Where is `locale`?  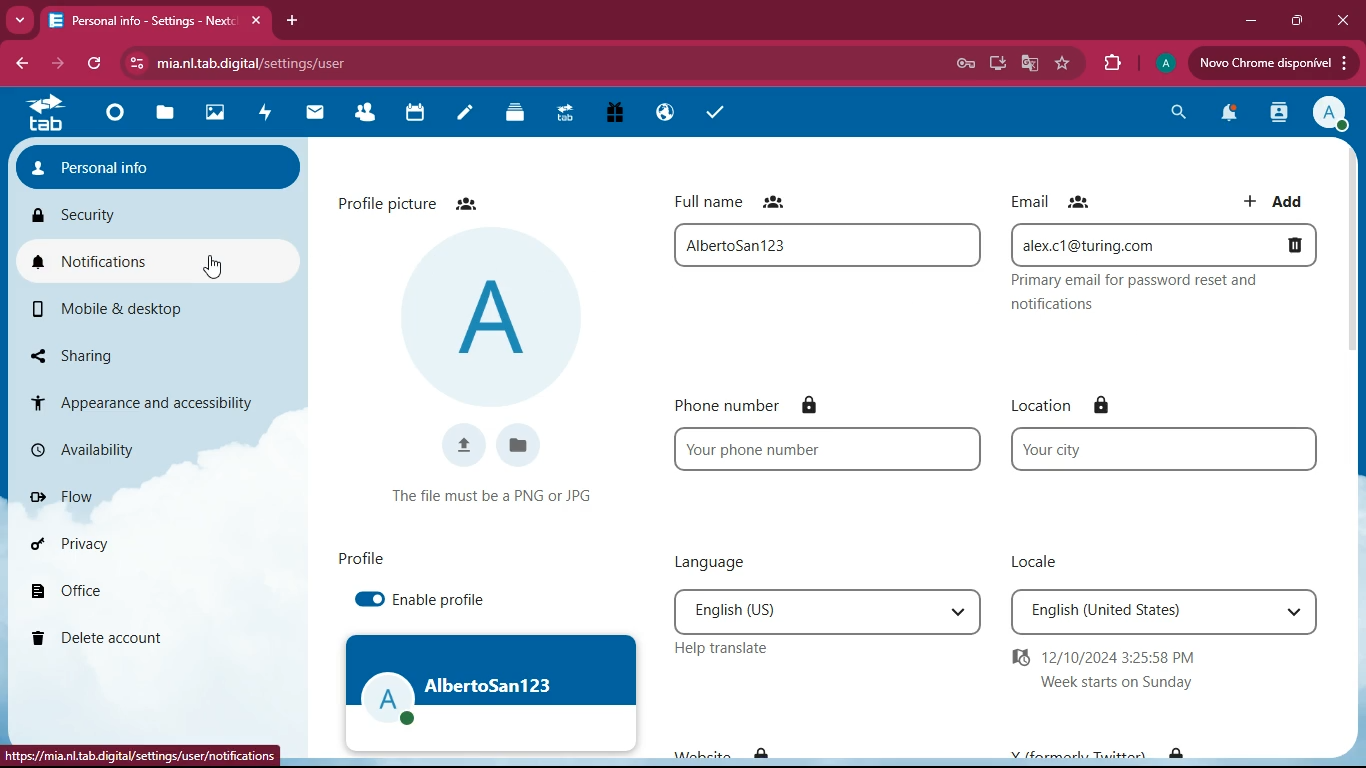 locale is located at coordinates (1041, 562).